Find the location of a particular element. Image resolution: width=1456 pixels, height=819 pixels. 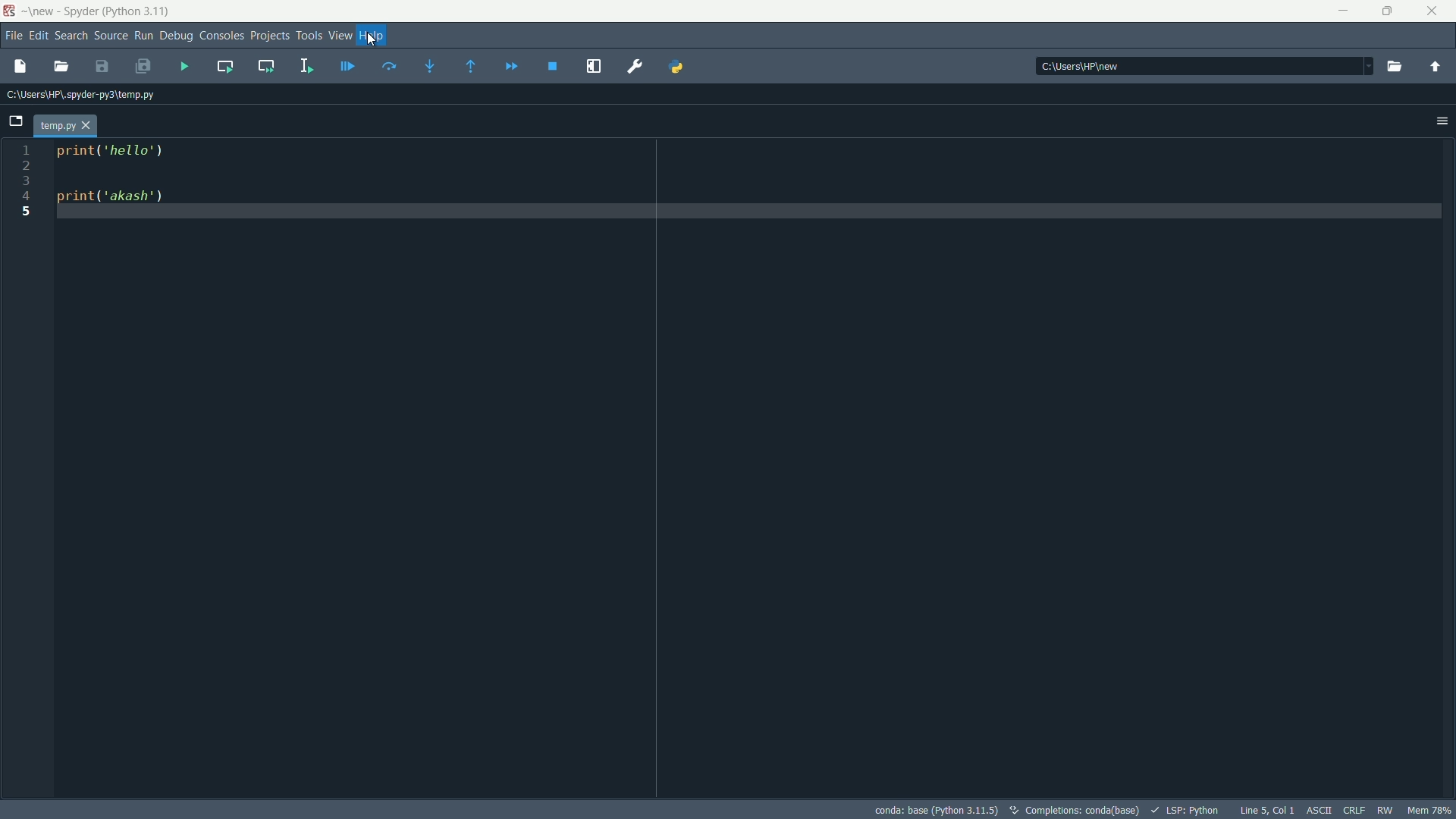

run selection or current line is located at coordinates (306, 66).